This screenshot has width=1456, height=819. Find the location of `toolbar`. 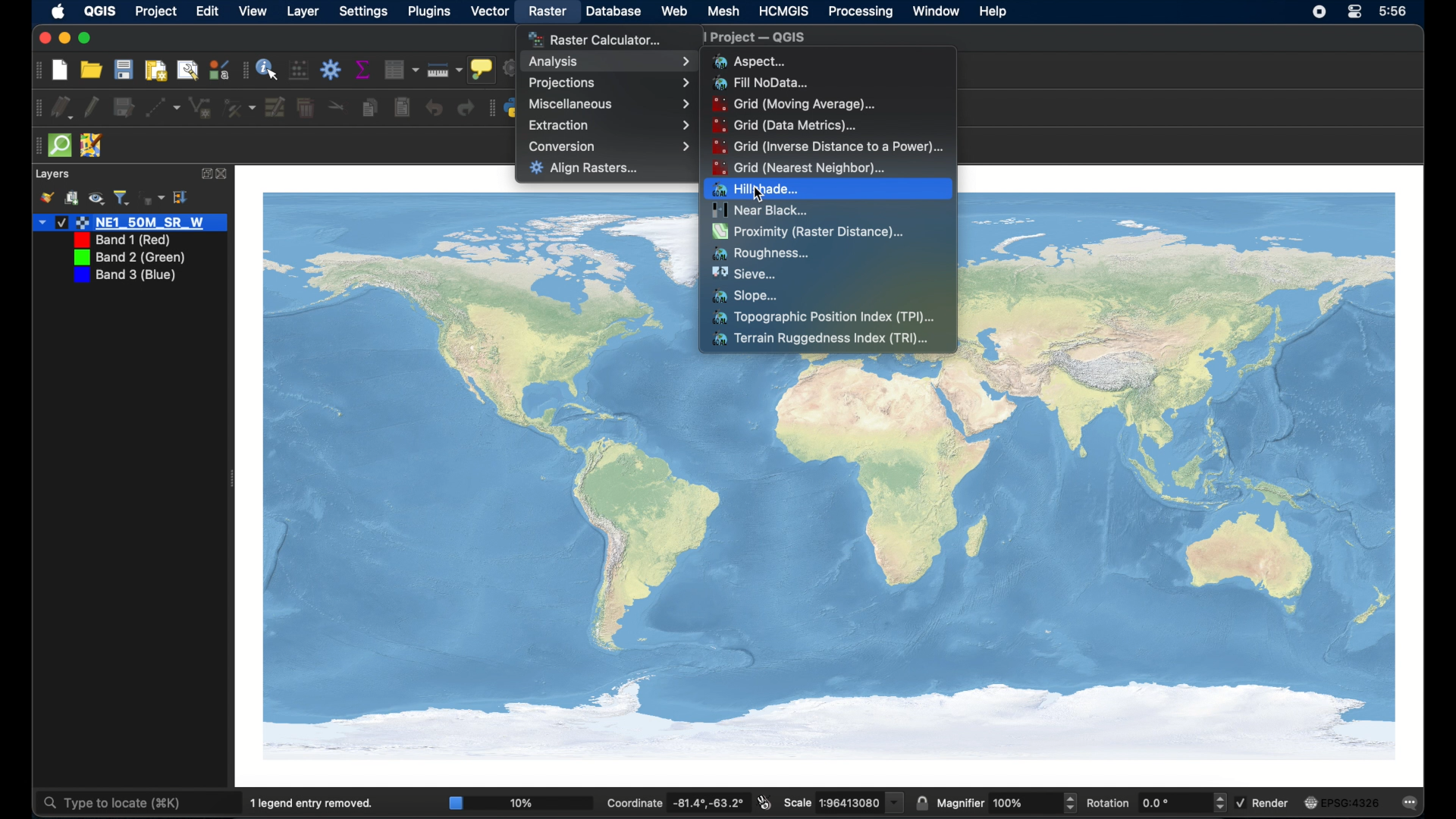

toolbar is located at coordinates (331, 71).